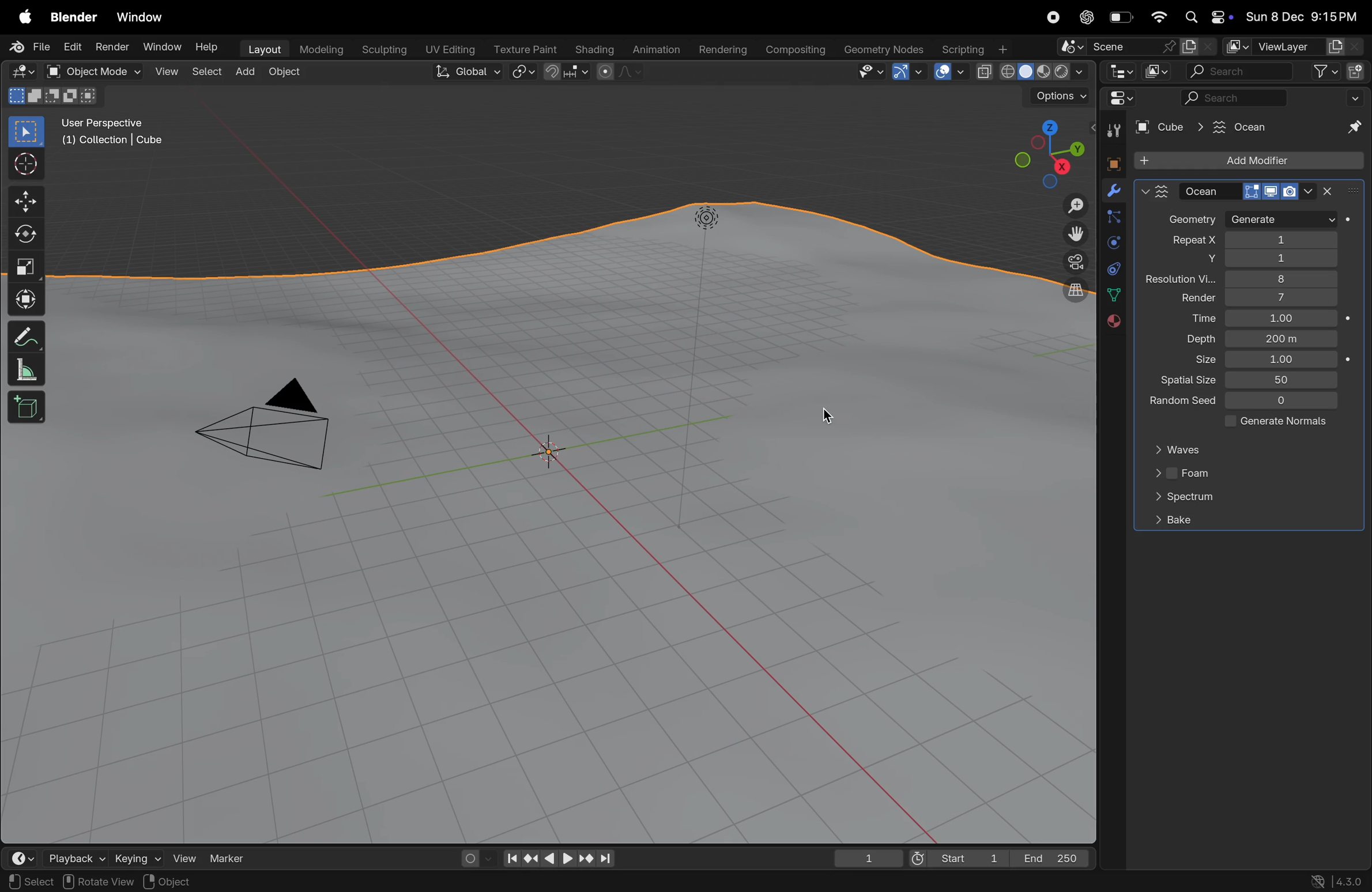 This screenshot has width=1372, height=892. What do you see at coordinates (1122, 20) in the screenshot?
I see `battery` at bounding box center [1122, 20].